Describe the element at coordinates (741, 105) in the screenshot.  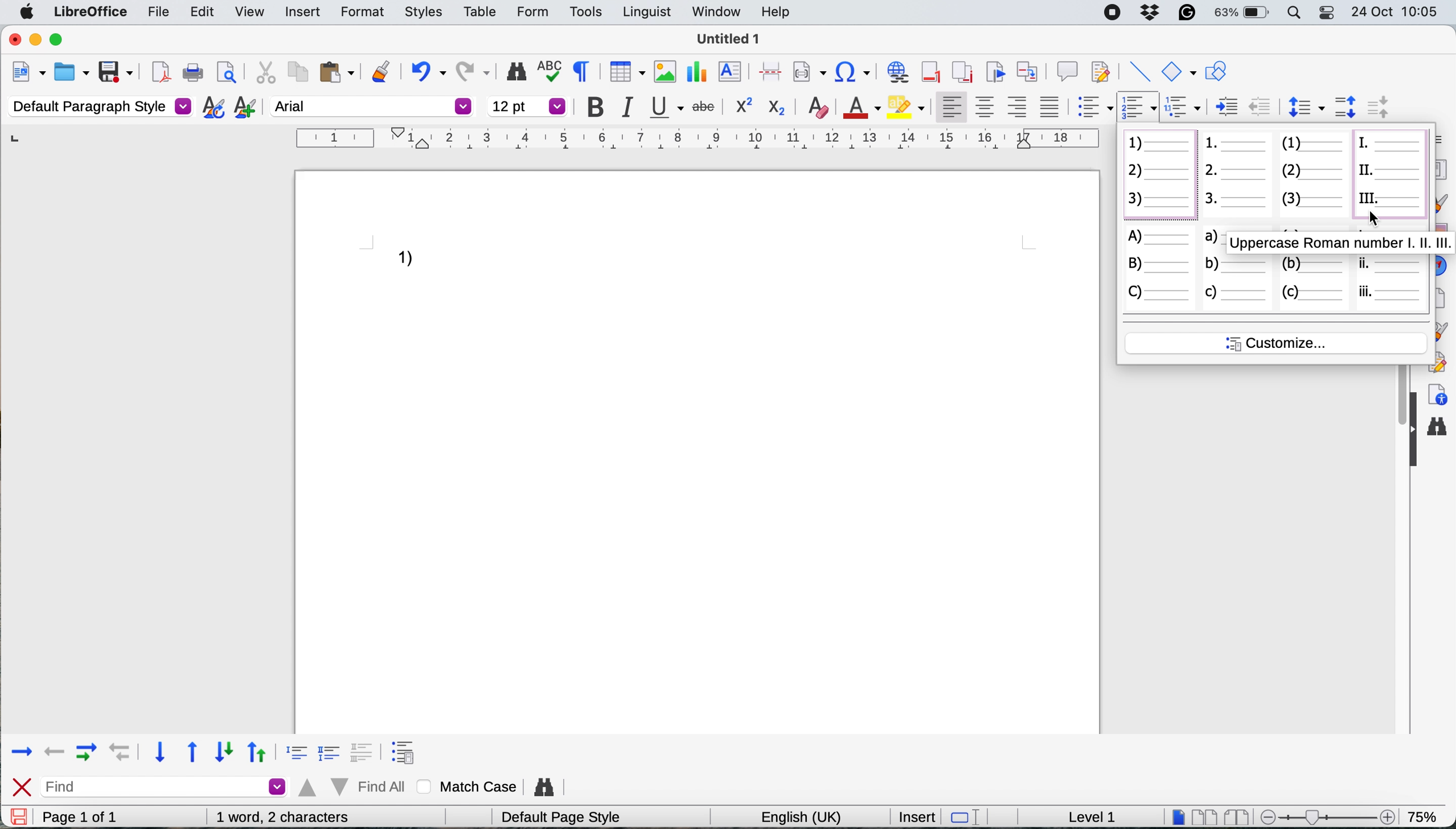
I see `superscript` at that location.